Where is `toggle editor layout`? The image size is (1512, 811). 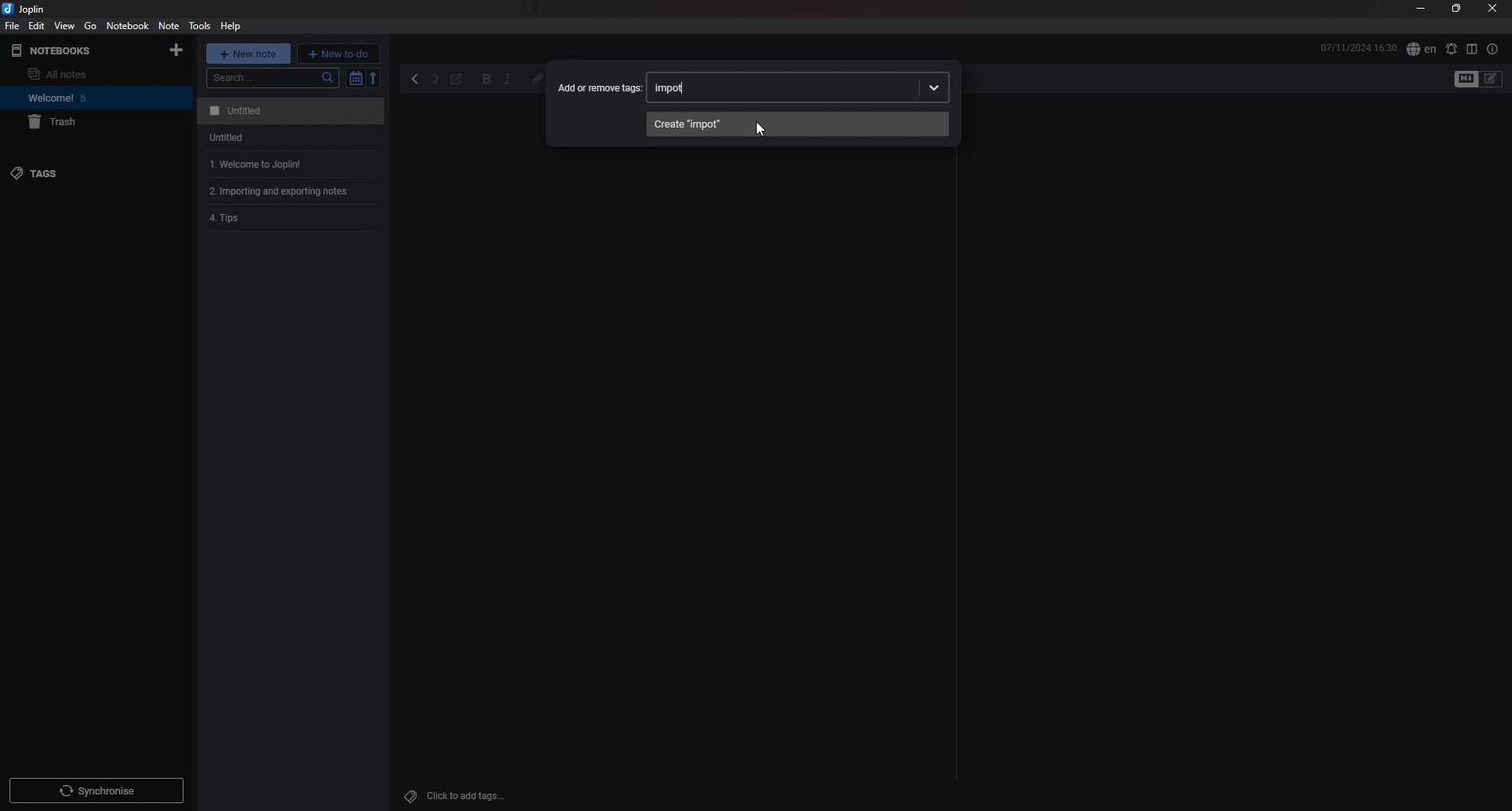
toggle editor layout is located at coordinates (1472, 49).